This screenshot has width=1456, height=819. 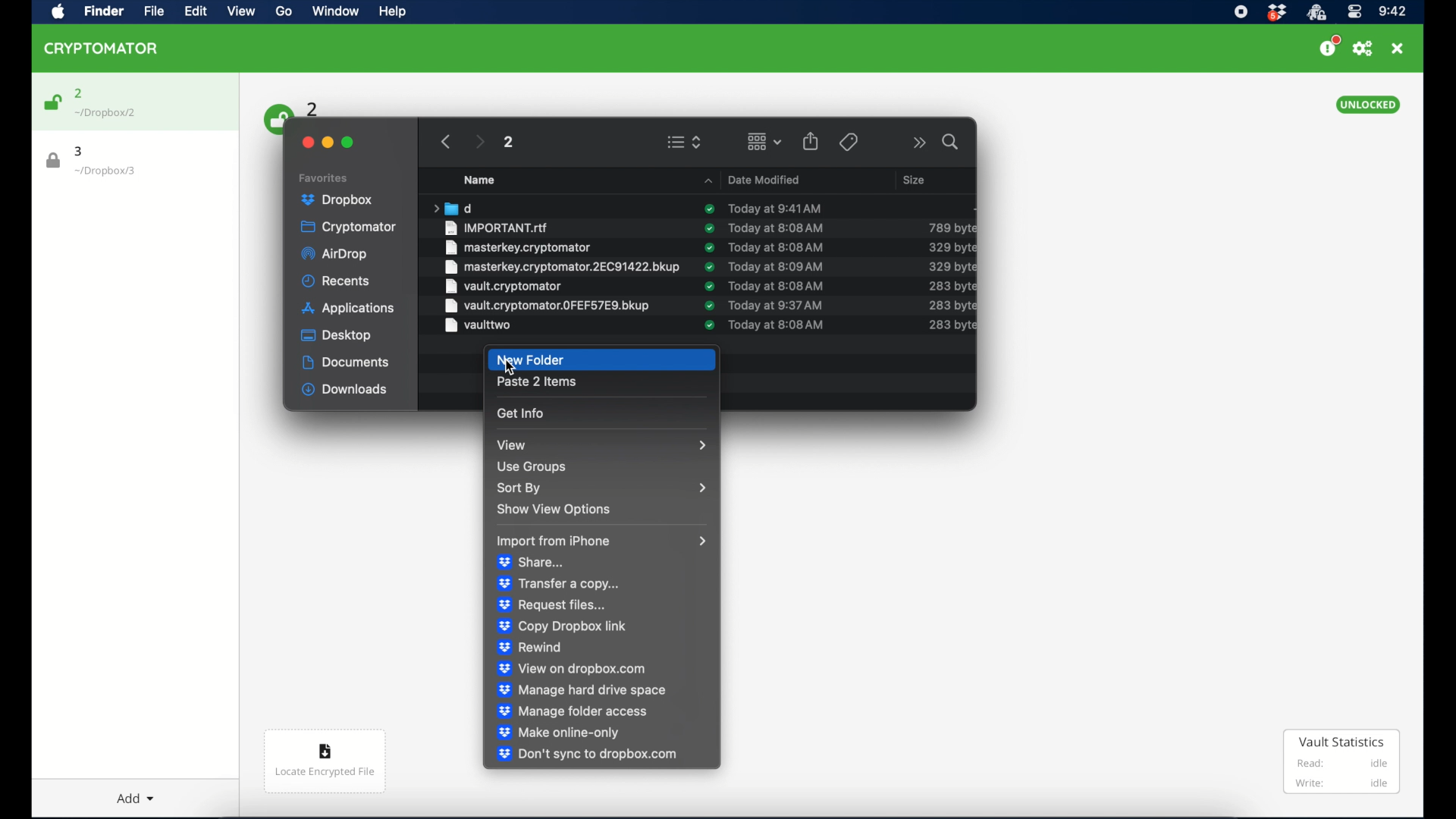 I want to click on lock icon, so click(x=54, y=161).